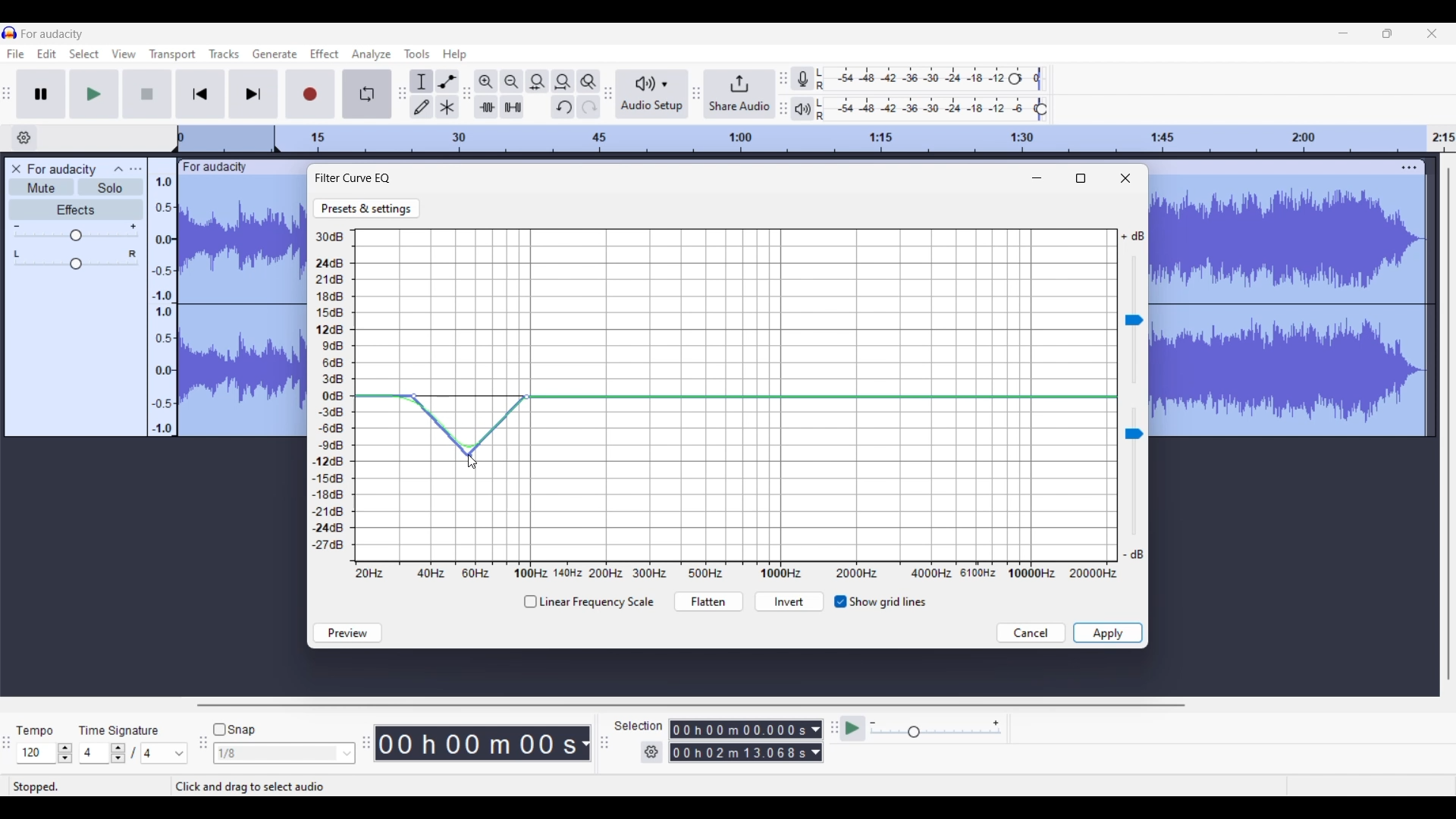 Image resolution: width=1456 pixels, height=819 pixels. What do you see at coordinates (854, 729) in the screenshot?
I see `Play-at-speed/Play-at-speed once` at bounding box center [854, 729].